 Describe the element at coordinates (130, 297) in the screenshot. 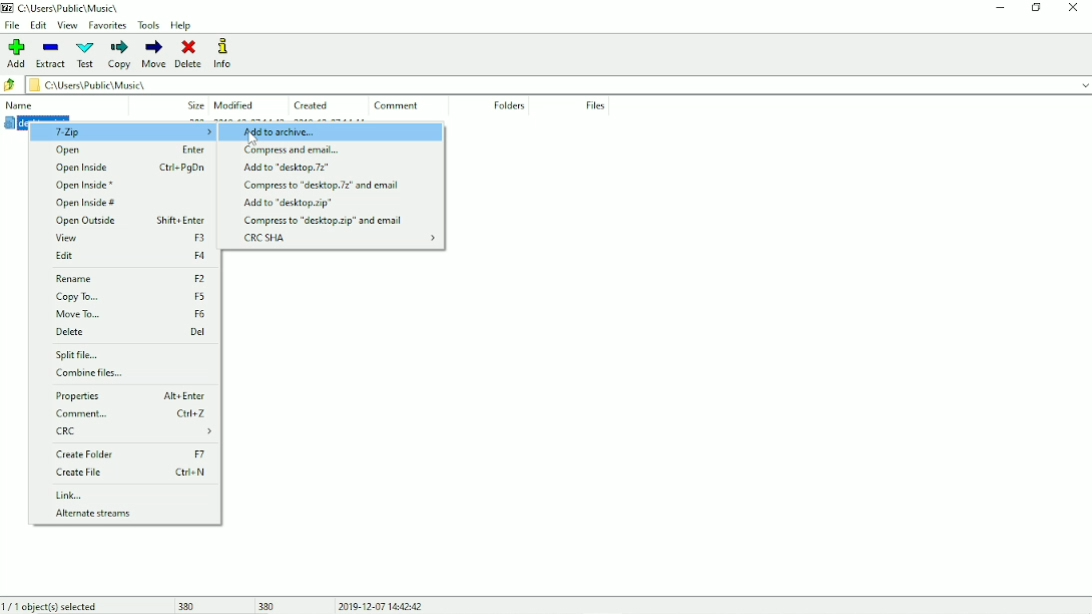

I see `Copy To` at that location.